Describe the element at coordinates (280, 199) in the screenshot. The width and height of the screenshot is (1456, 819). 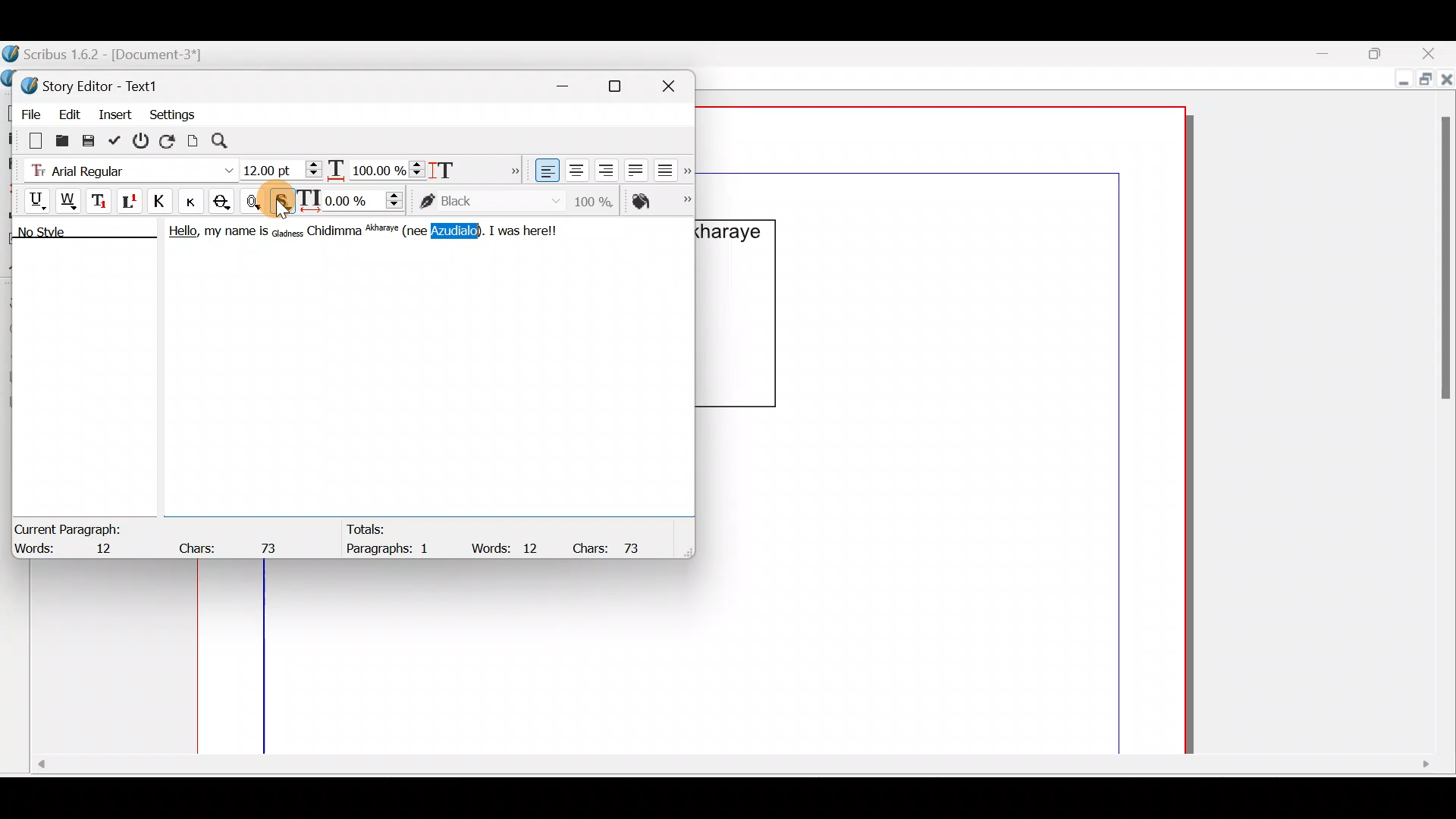
I see `Cursor` at that location.